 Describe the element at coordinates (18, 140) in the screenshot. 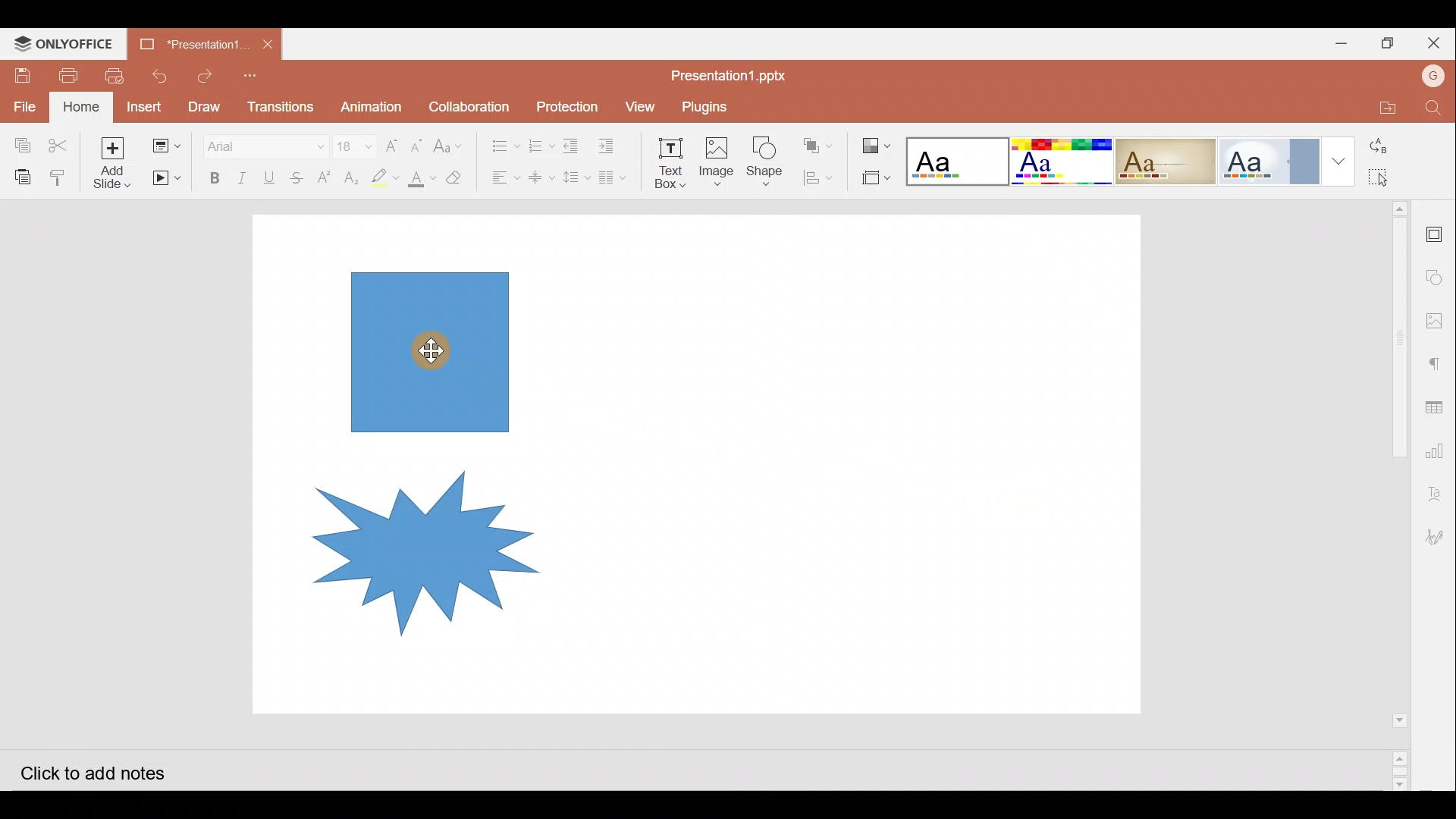

I see `Copy` at that location.